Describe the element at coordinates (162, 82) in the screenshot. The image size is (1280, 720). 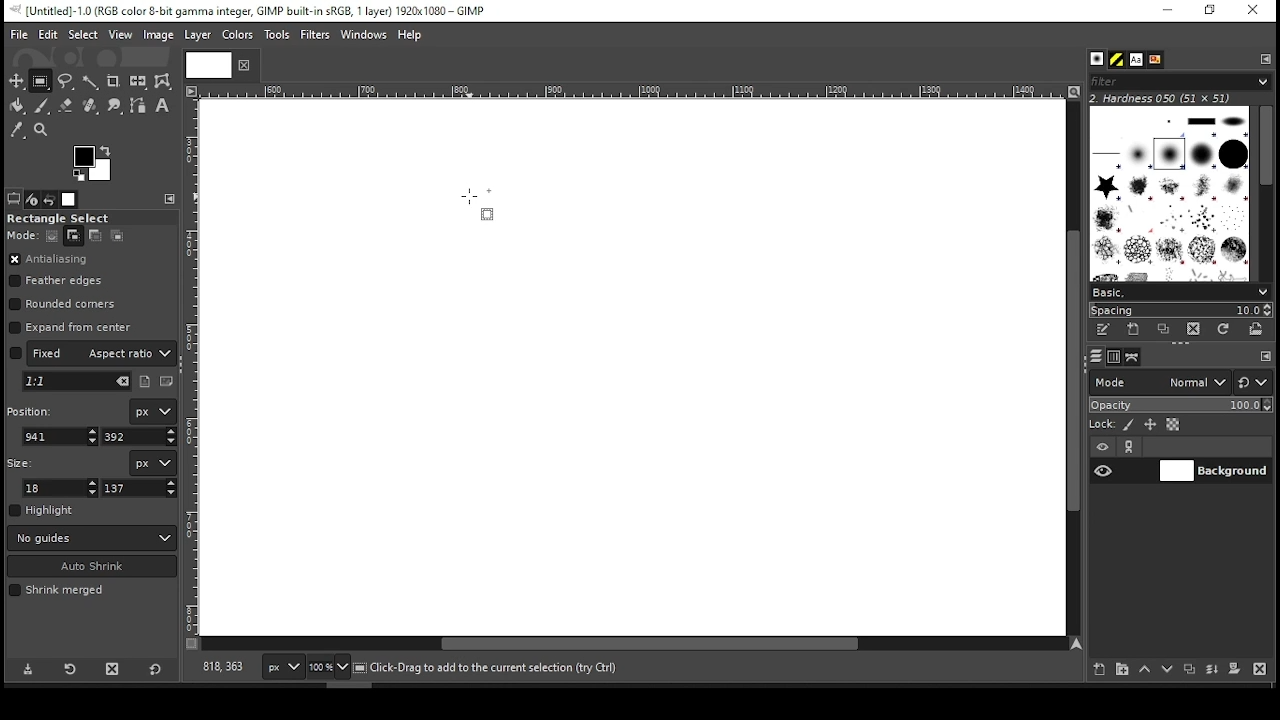
I see `warp transform tool` at that location.